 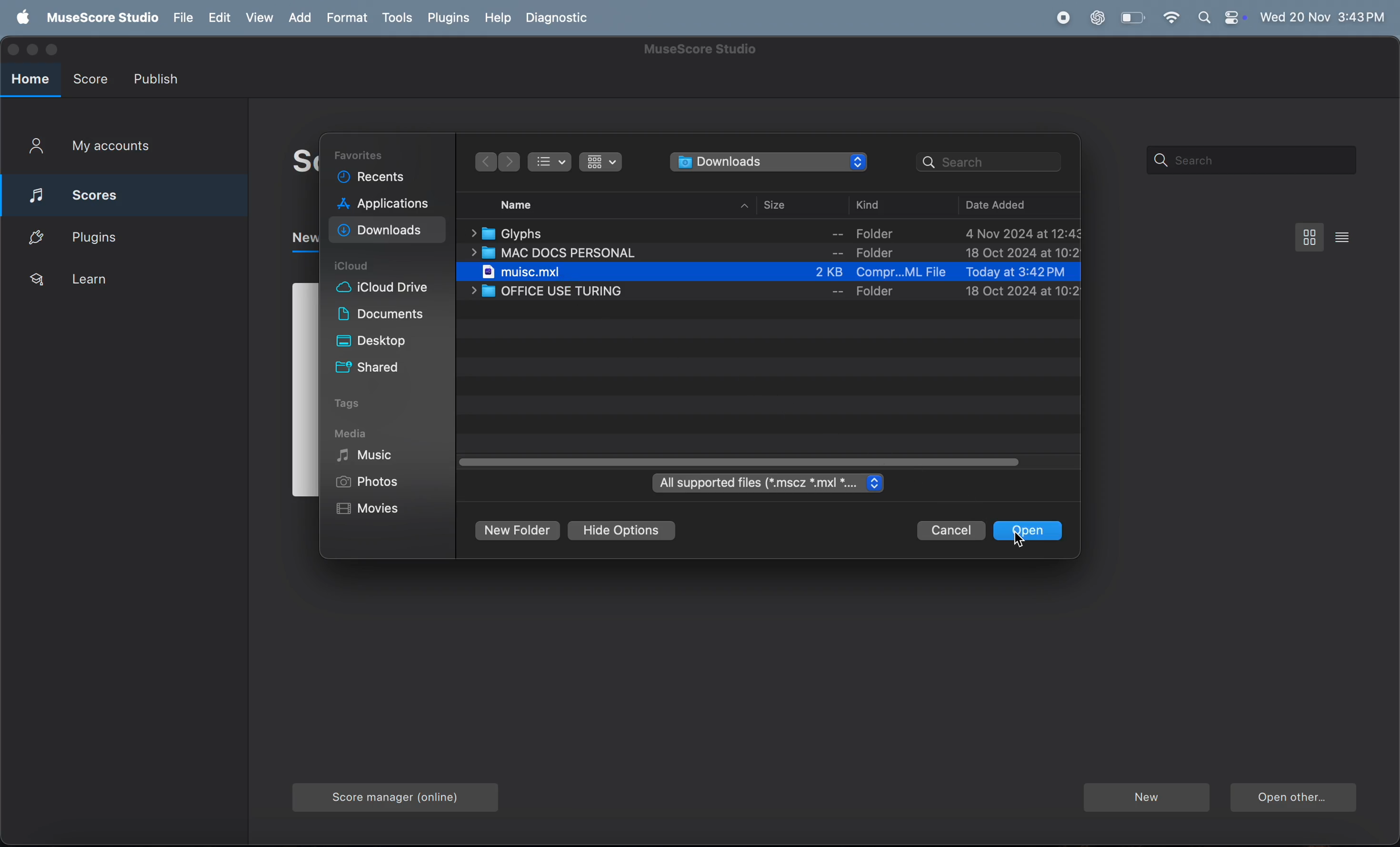 I want to click on wifi, so click(x=1171, y=18).